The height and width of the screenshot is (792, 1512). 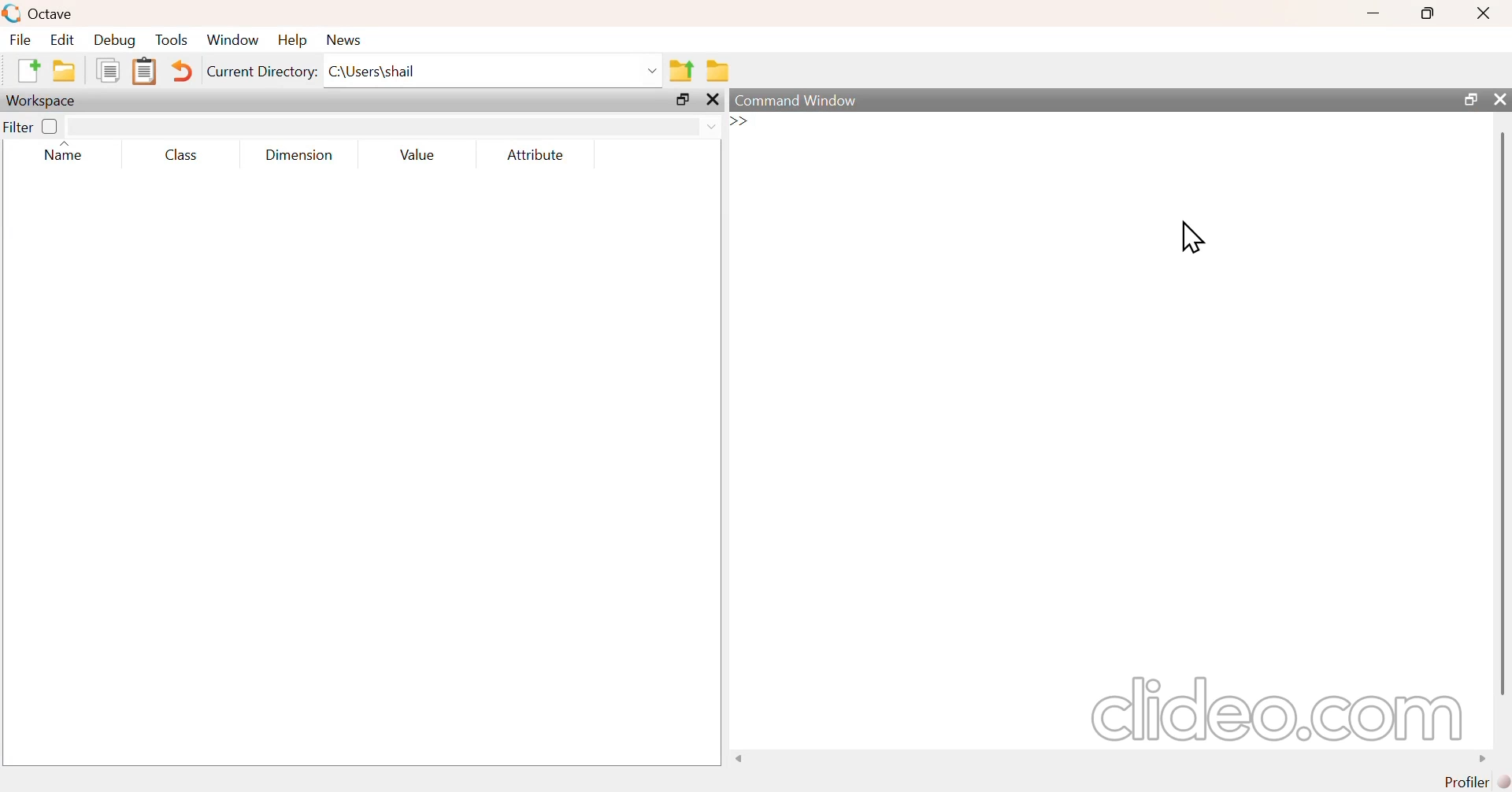 I want to click on value, so click(x=415, y=154).